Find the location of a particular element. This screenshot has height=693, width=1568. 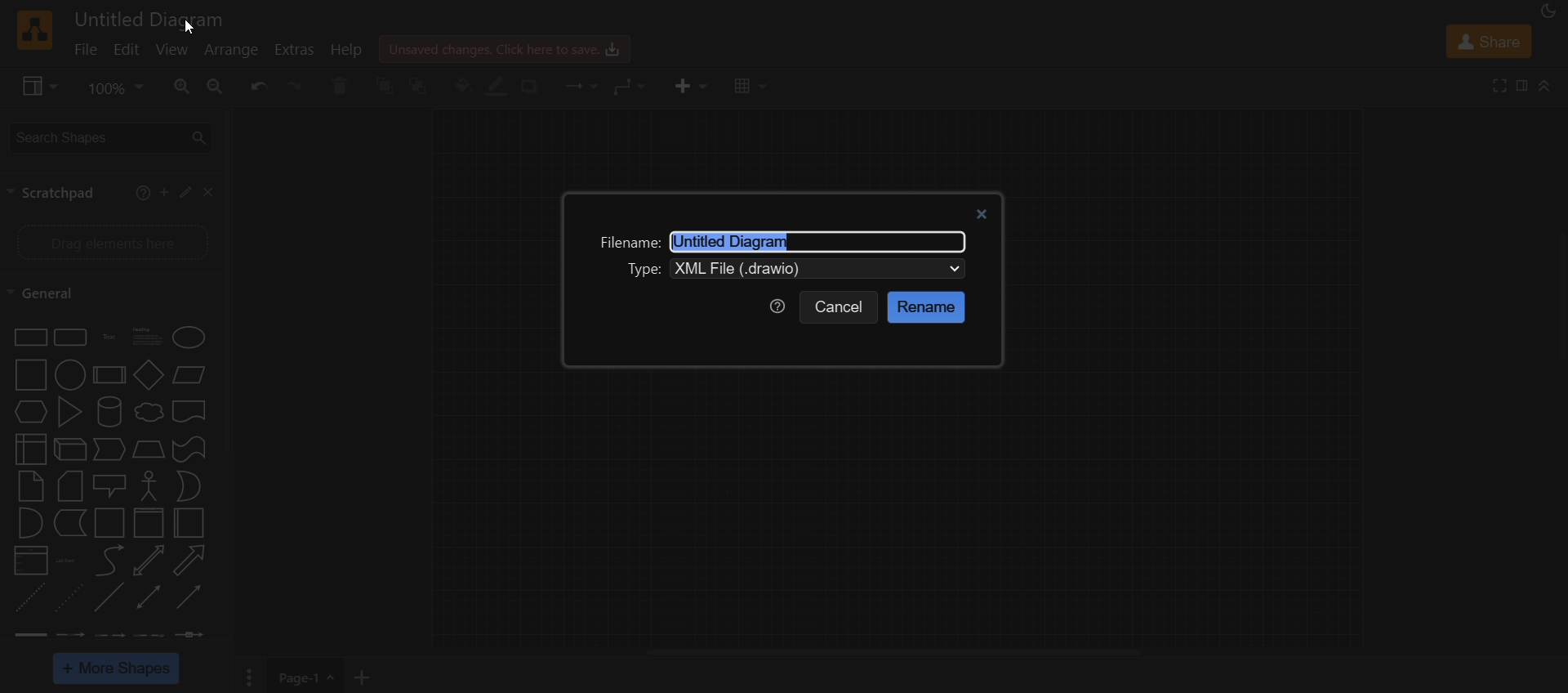

connection is located at coordinates (577, 85).